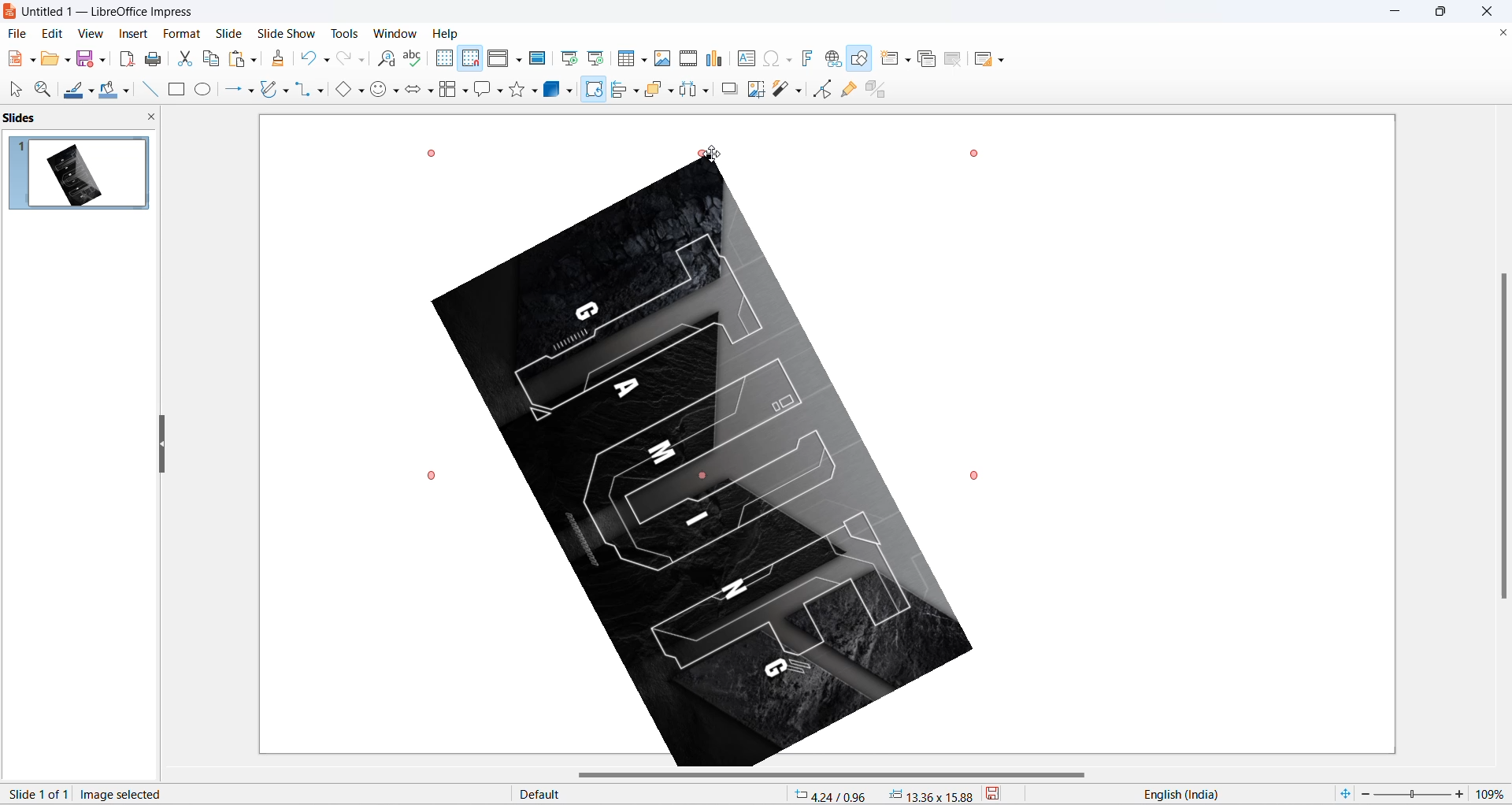 This screenshot has height=805, width=1512. I want to click on save, so click(1003, 796).